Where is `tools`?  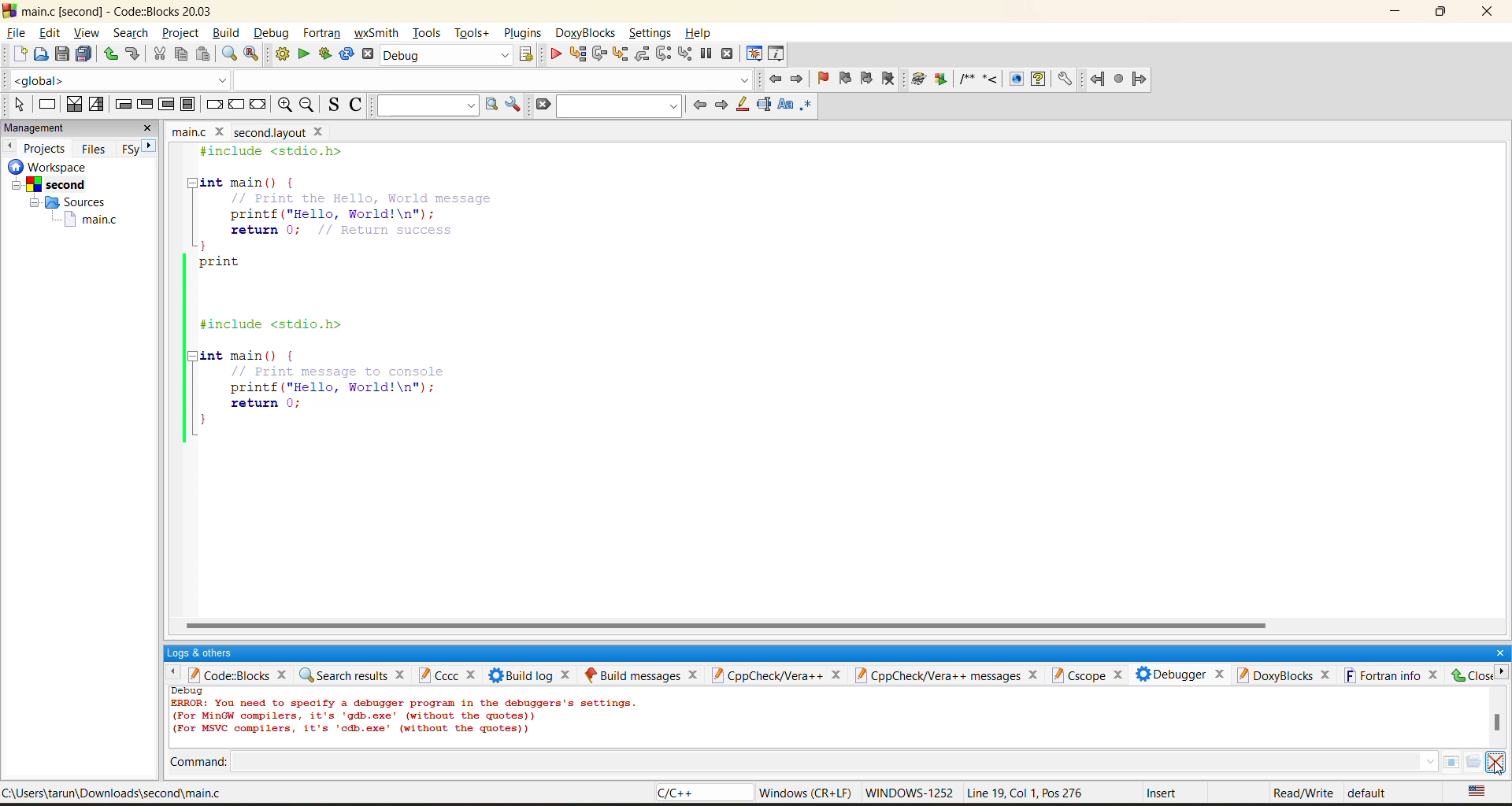
tools is located at coordinates (426, 33).